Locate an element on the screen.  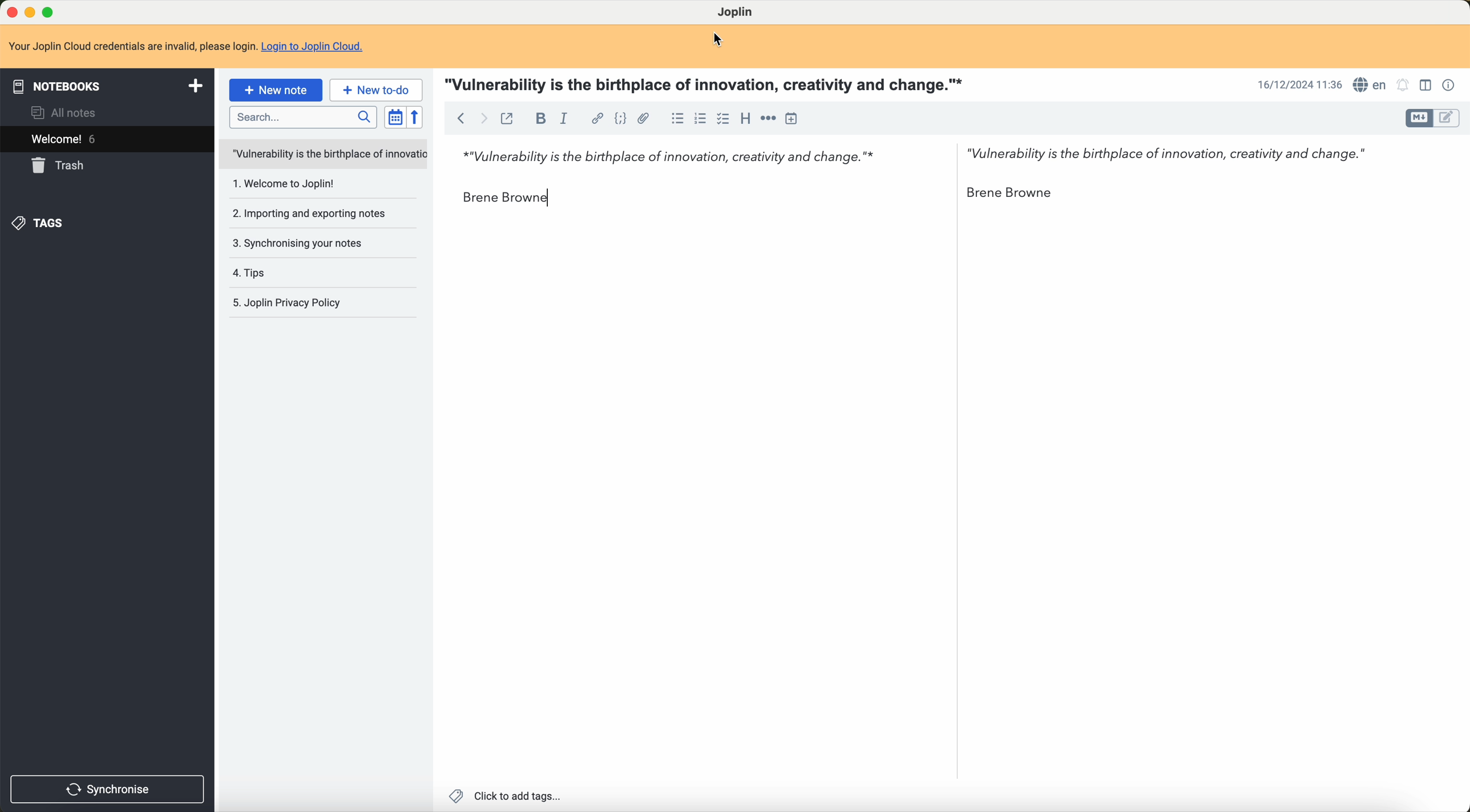
toggle editor is located at coordinates (1416, 118).